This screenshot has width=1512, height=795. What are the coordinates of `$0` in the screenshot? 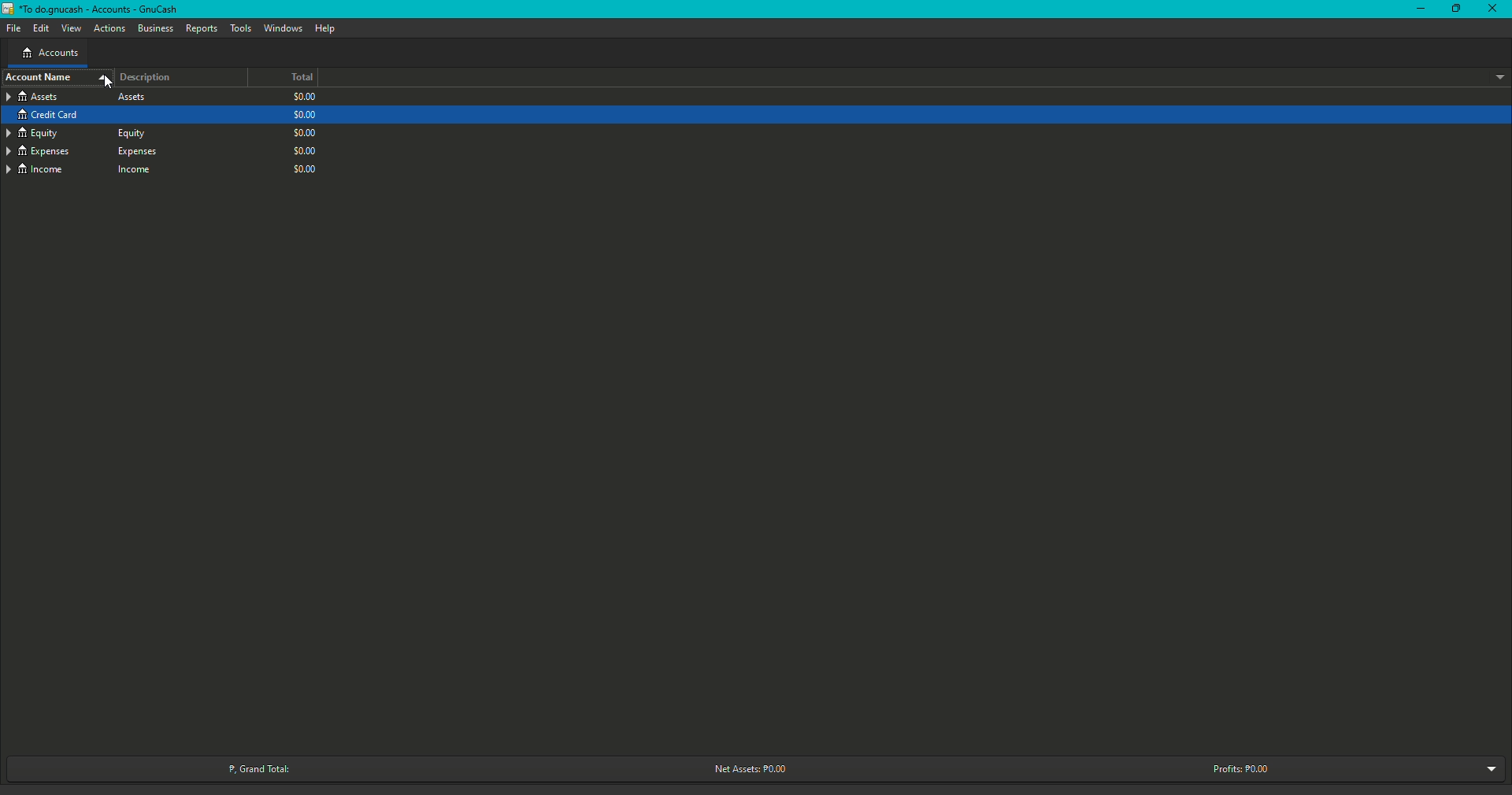 It's located at (298, 135).